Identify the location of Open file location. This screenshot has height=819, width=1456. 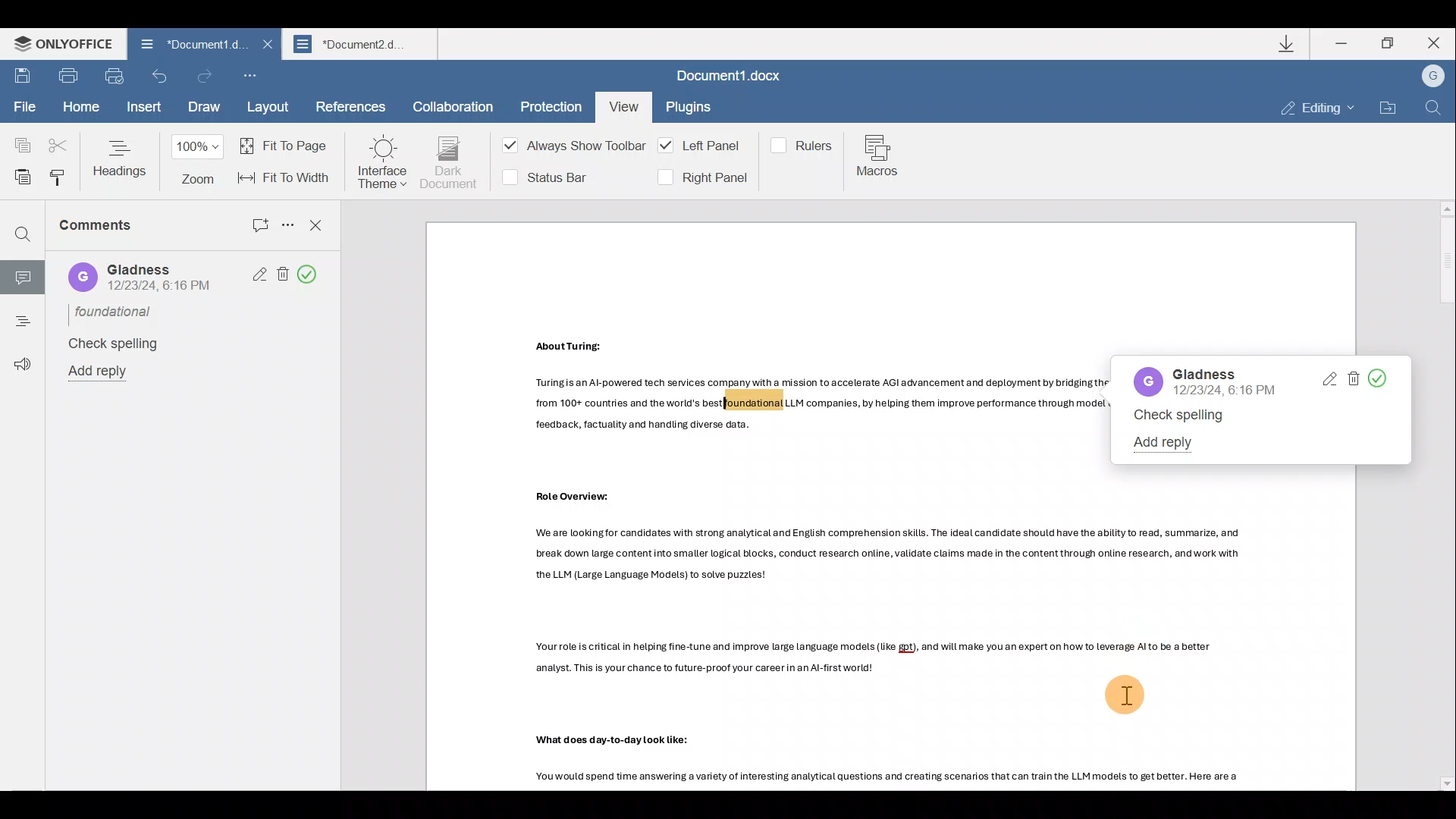
(1386, 108).